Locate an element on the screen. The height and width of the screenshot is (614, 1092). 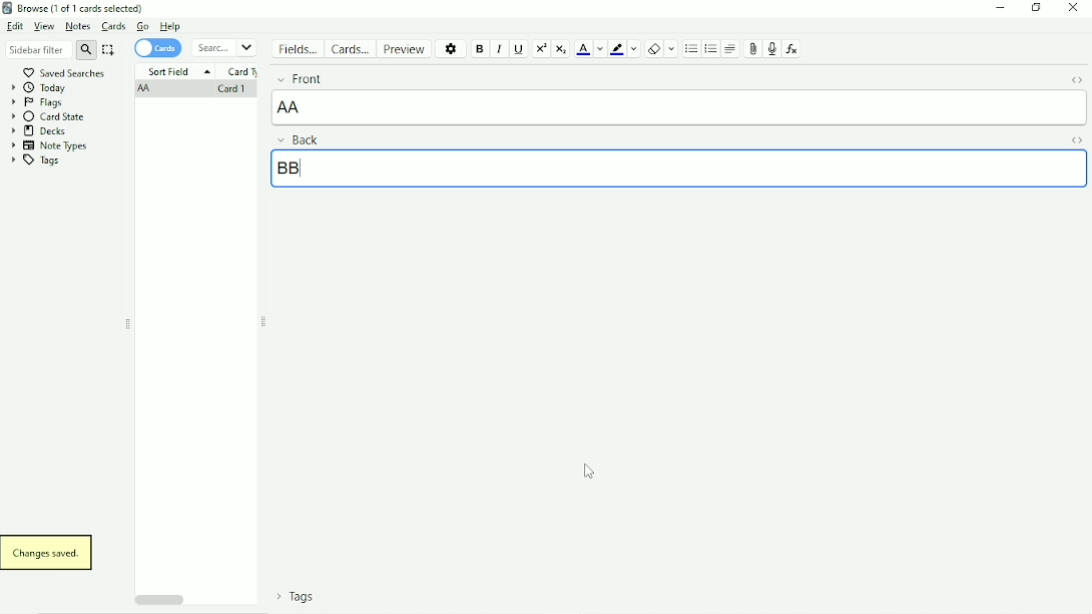
Toggle HTML Editor is located at coordinates (1078, 140).